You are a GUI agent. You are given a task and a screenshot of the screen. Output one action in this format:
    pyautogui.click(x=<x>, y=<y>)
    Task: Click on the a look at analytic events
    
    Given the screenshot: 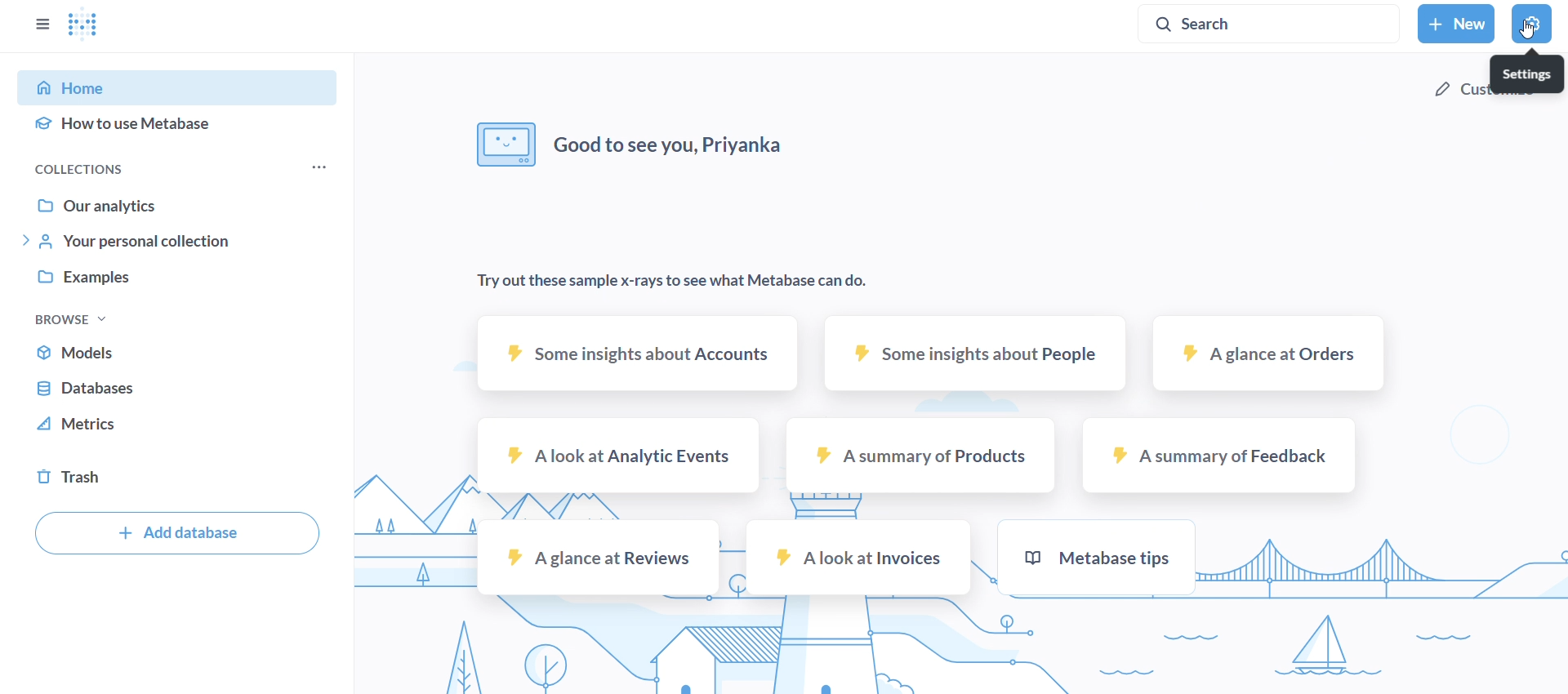 What is the action you would take?
    pyautogui.click(x=617, y=455)
    